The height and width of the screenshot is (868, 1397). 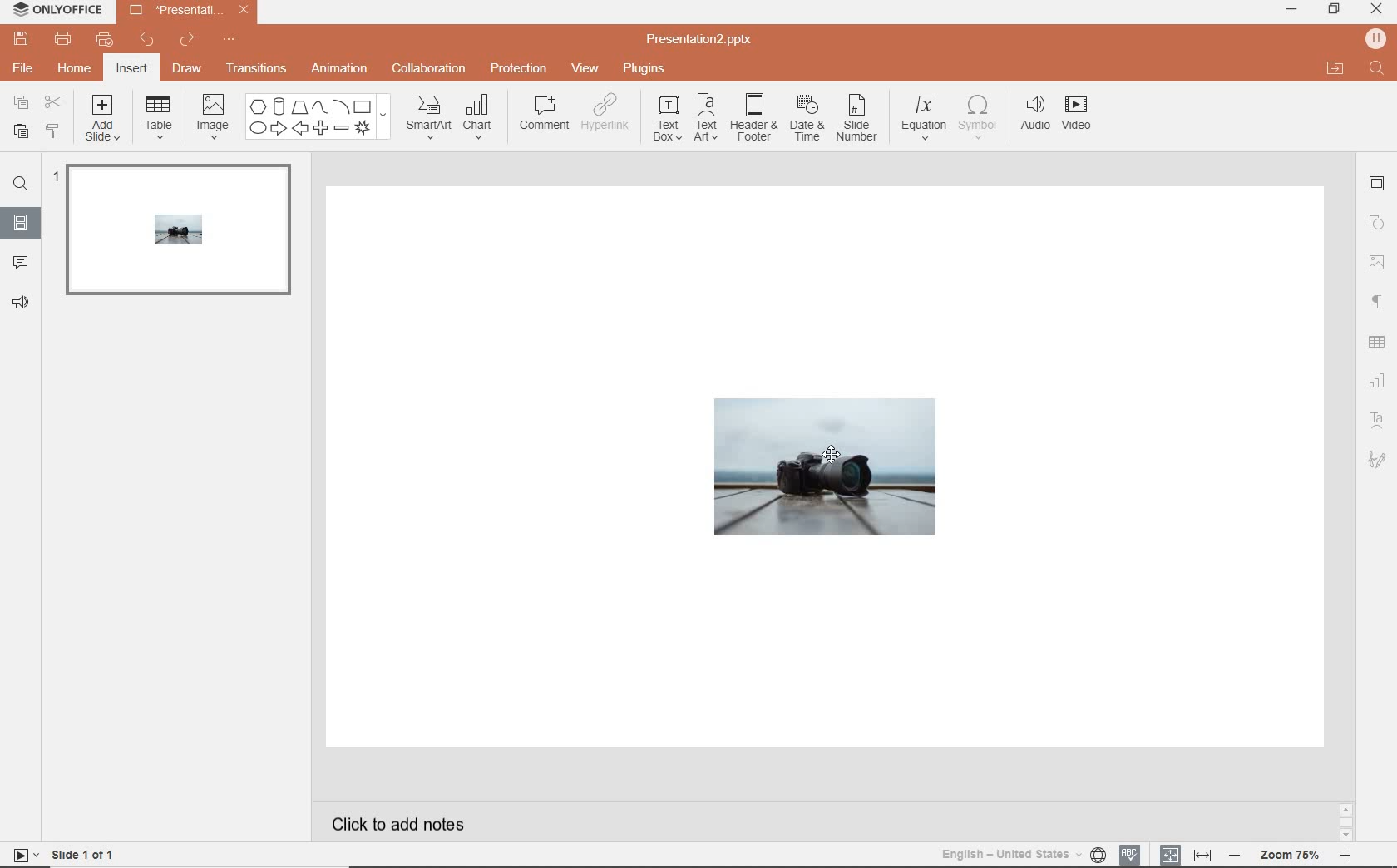 What do you see at coordinates (1202, 855) in the screenshot?
I see `fit to width` at bounding box center [1202, 855].